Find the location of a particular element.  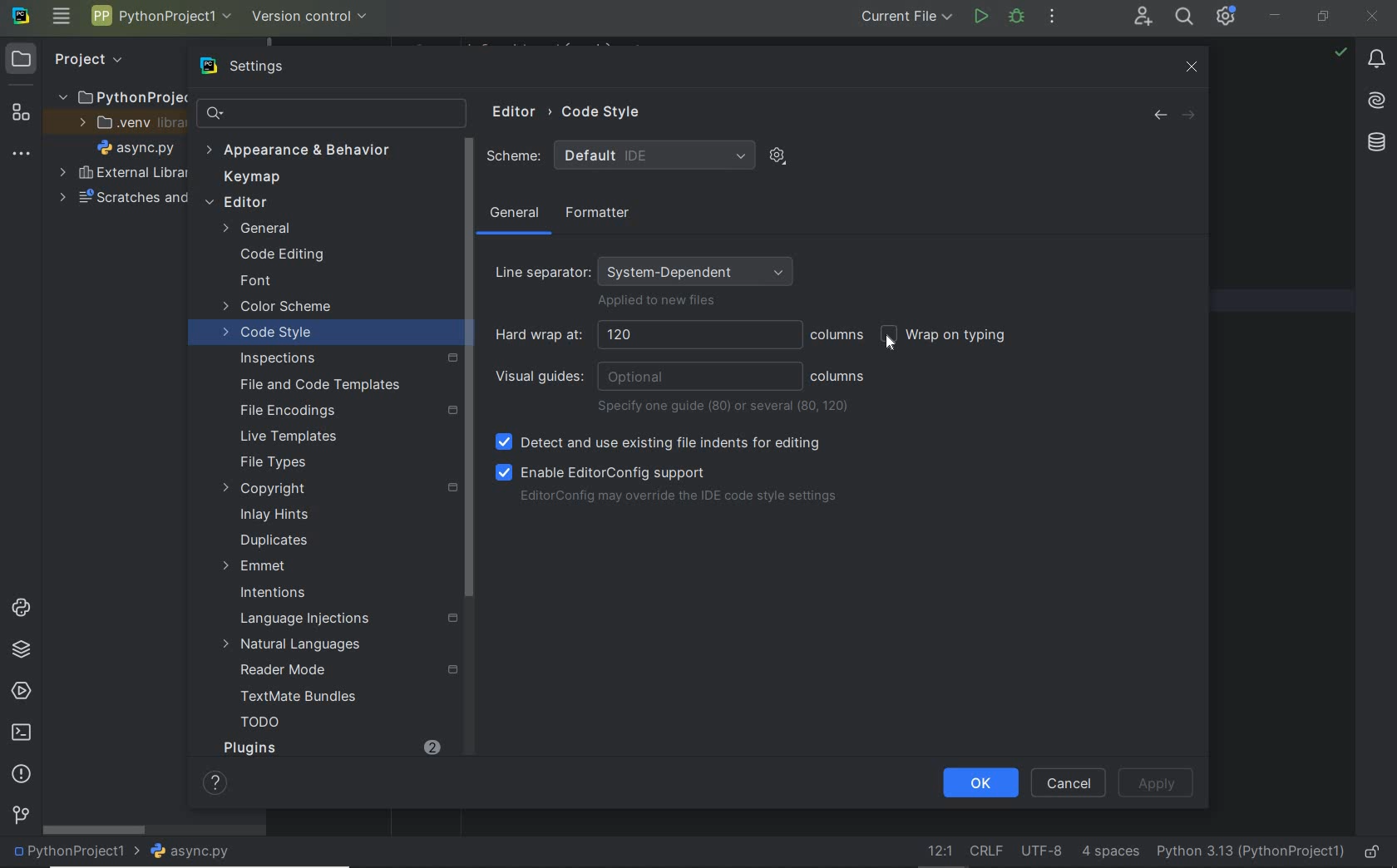

2 is located at coordinates (433, 746).